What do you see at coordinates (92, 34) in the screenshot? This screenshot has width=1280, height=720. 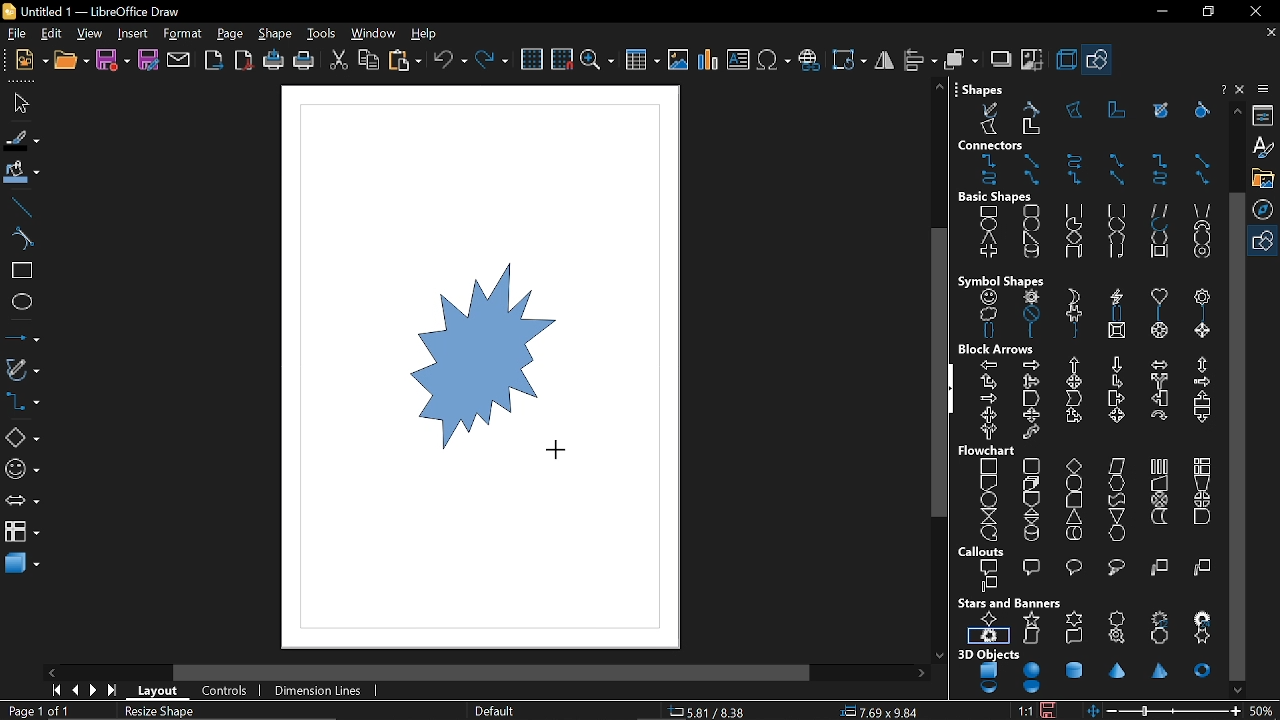 I see `view` at bounding box center [92, 34].